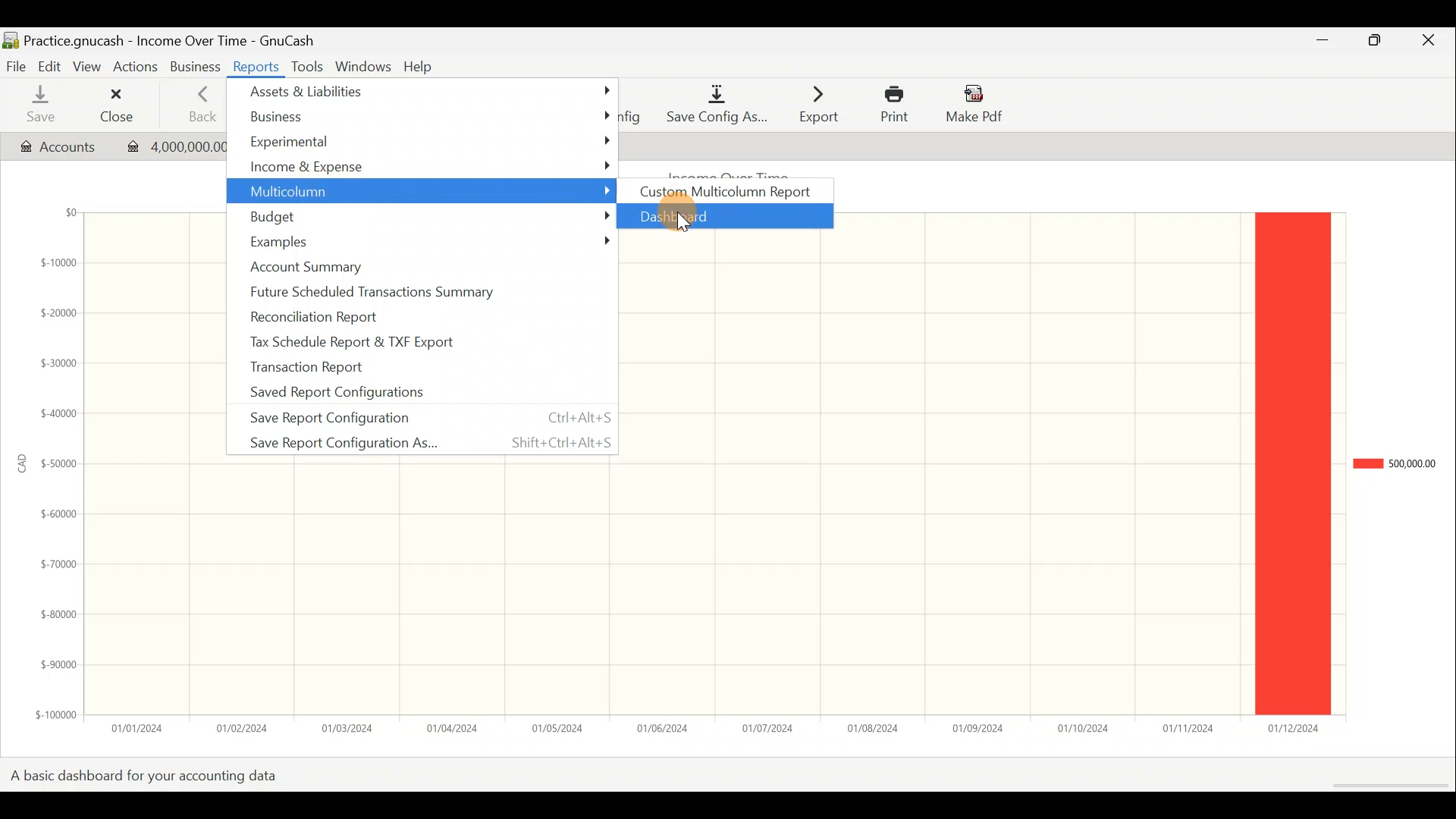 Image resolution: width=1456 pixels, height=819 pixels. Describe the element at coordinates (363, 66) in the screenshot. I see `Windows` at that location.